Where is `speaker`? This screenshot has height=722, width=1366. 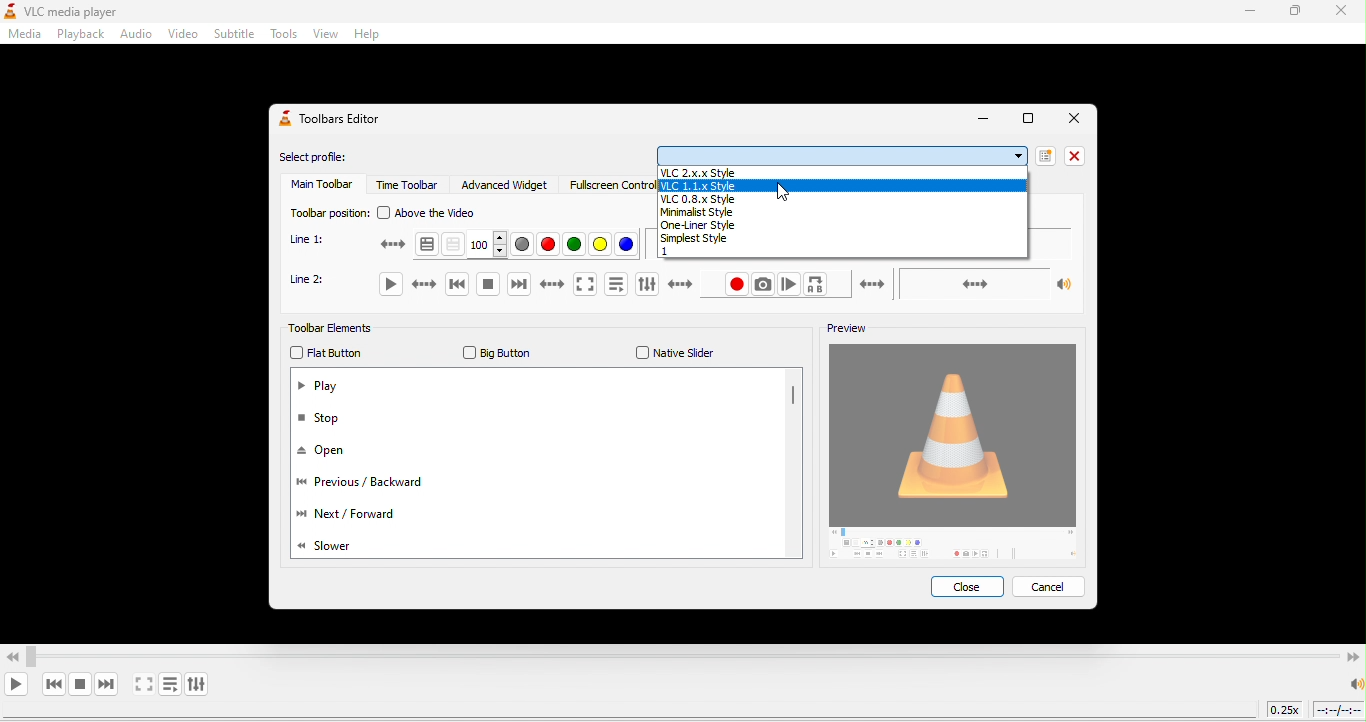 speaker is located at coordinates (1354, 684).